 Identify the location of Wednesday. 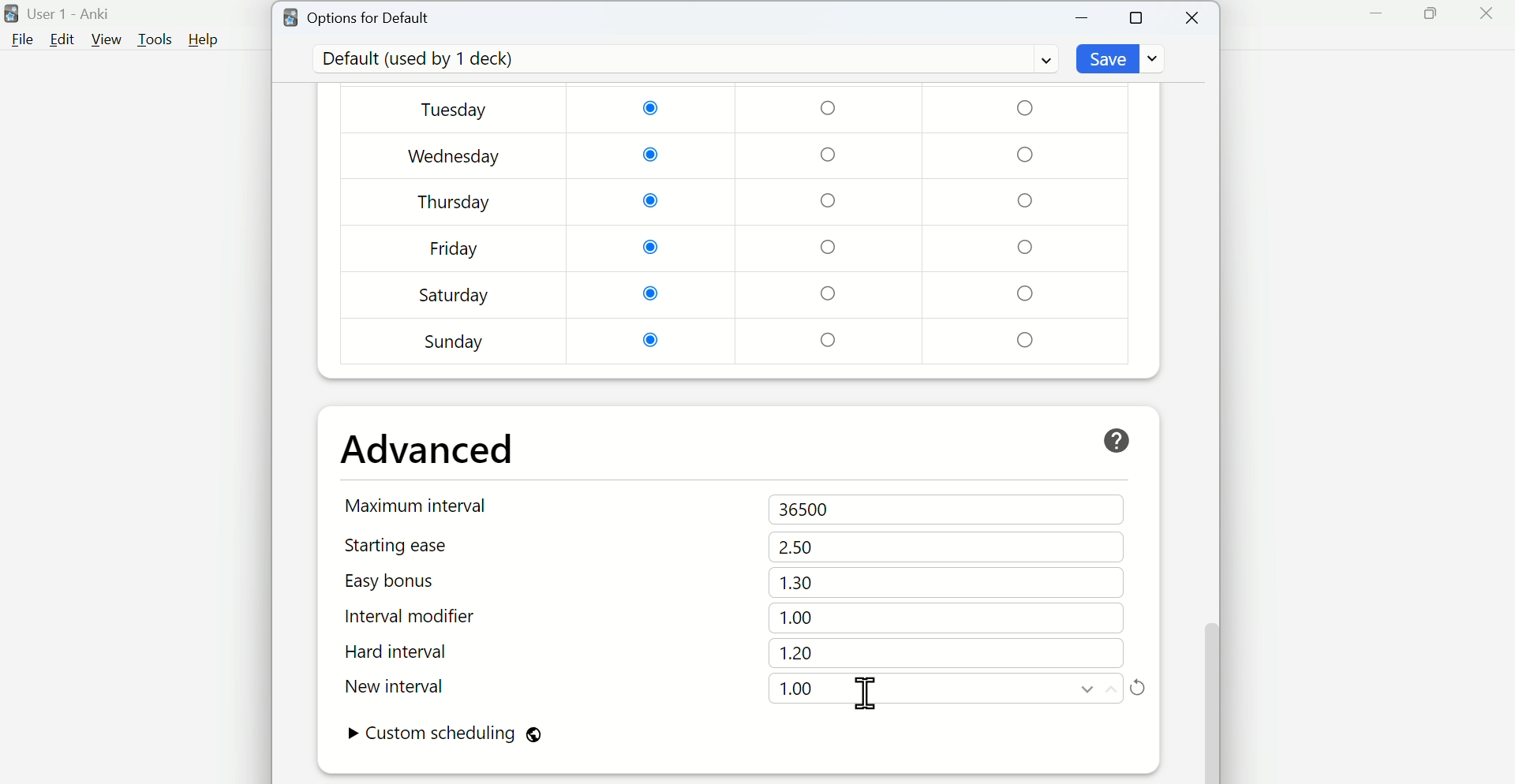
(455, 157).